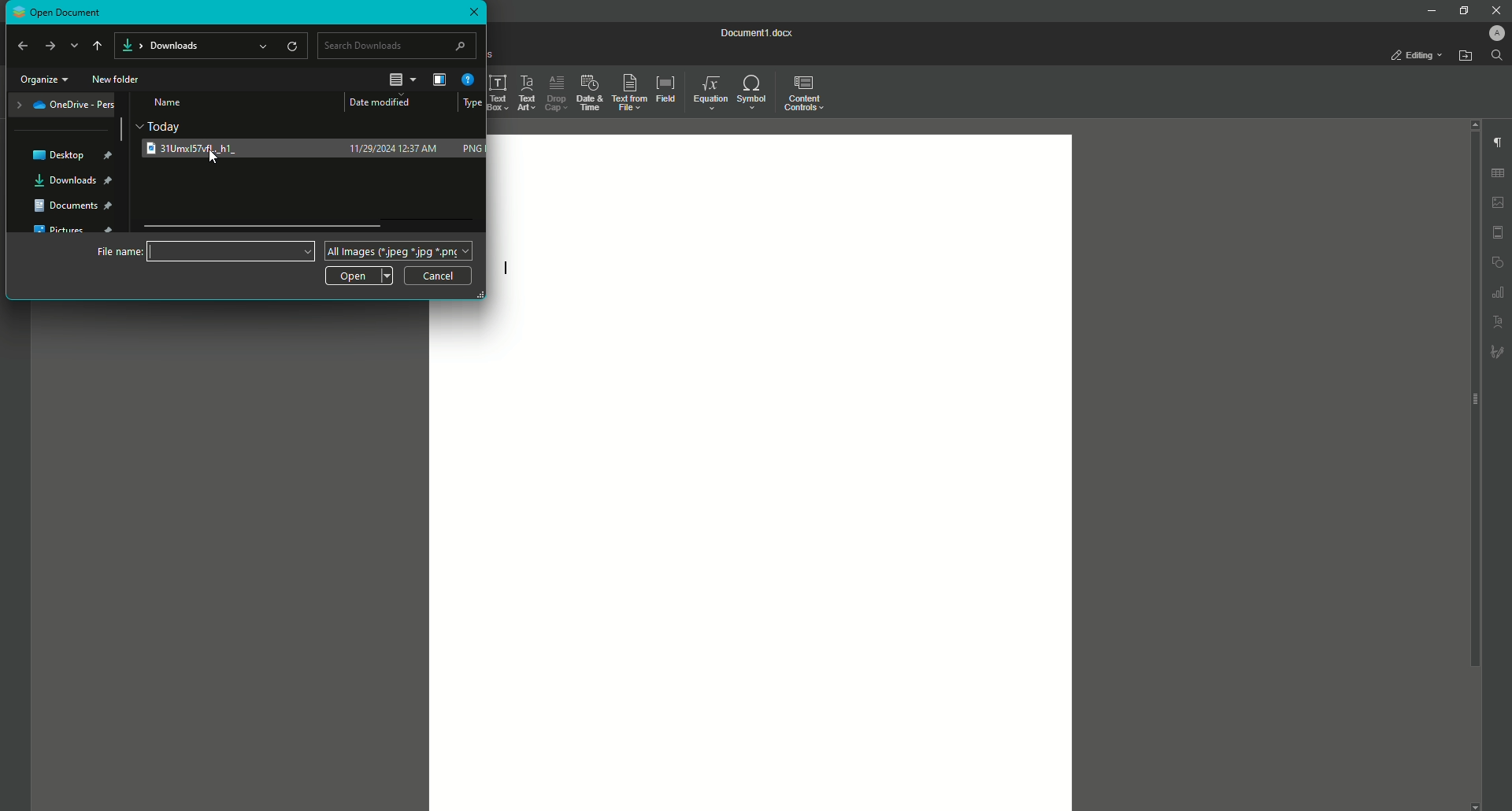  I want to click on New Folder, so click(120, 80).